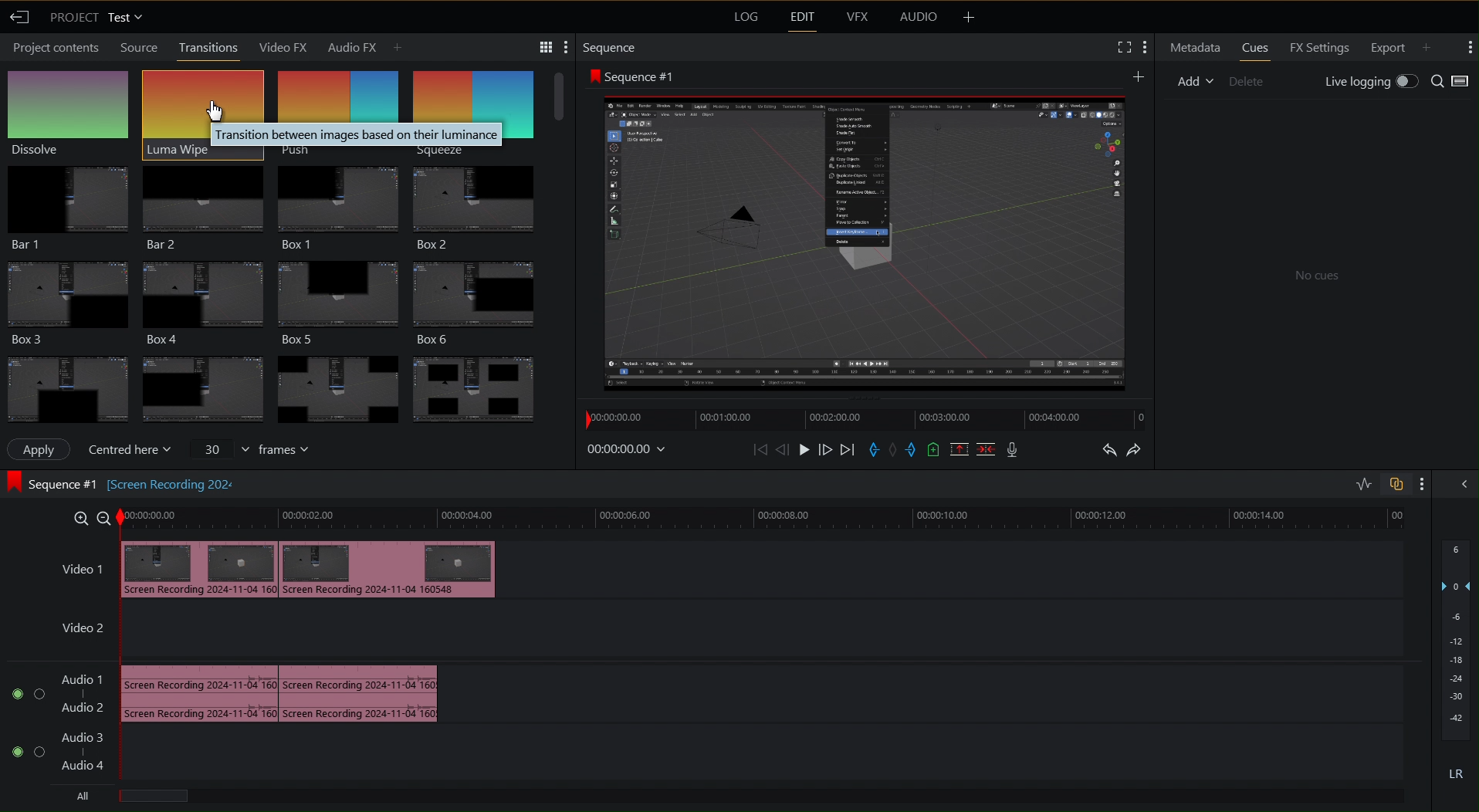 The width and height of the screenshot is (1479, 812). I want to click on Add, so click(1433, 46).